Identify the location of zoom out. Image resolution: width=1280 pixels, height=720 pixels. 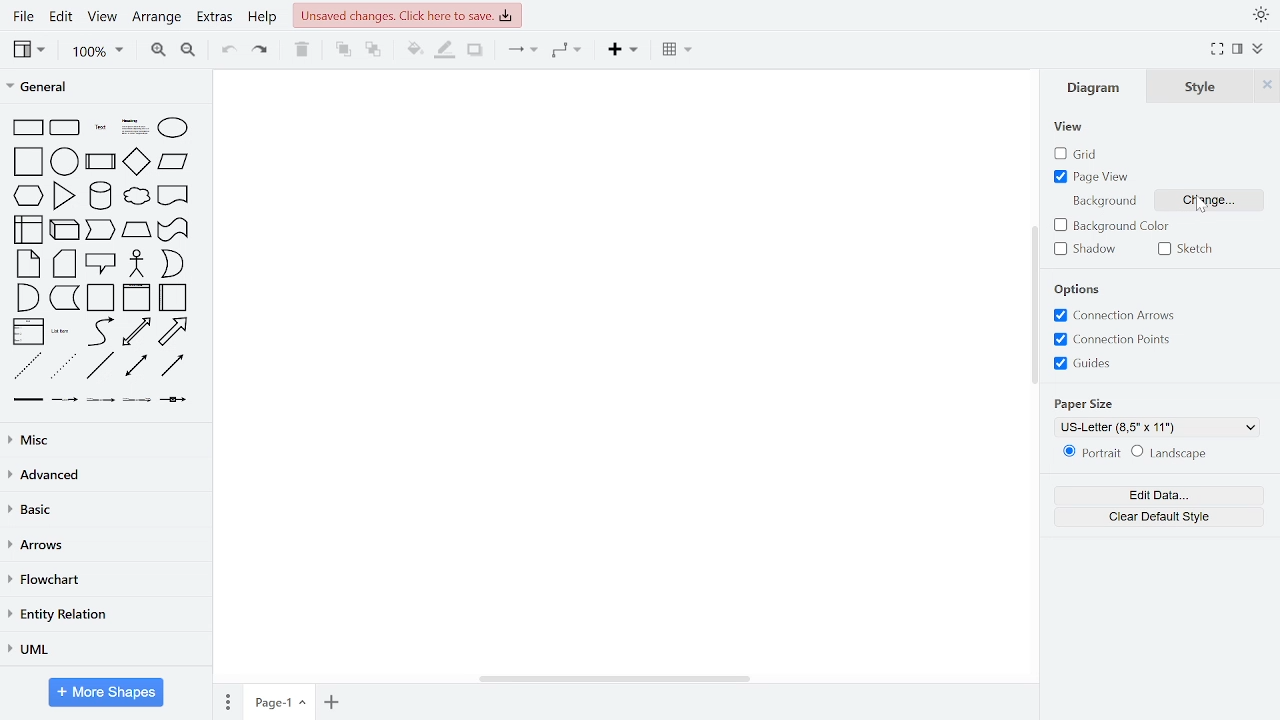
(190, 51).